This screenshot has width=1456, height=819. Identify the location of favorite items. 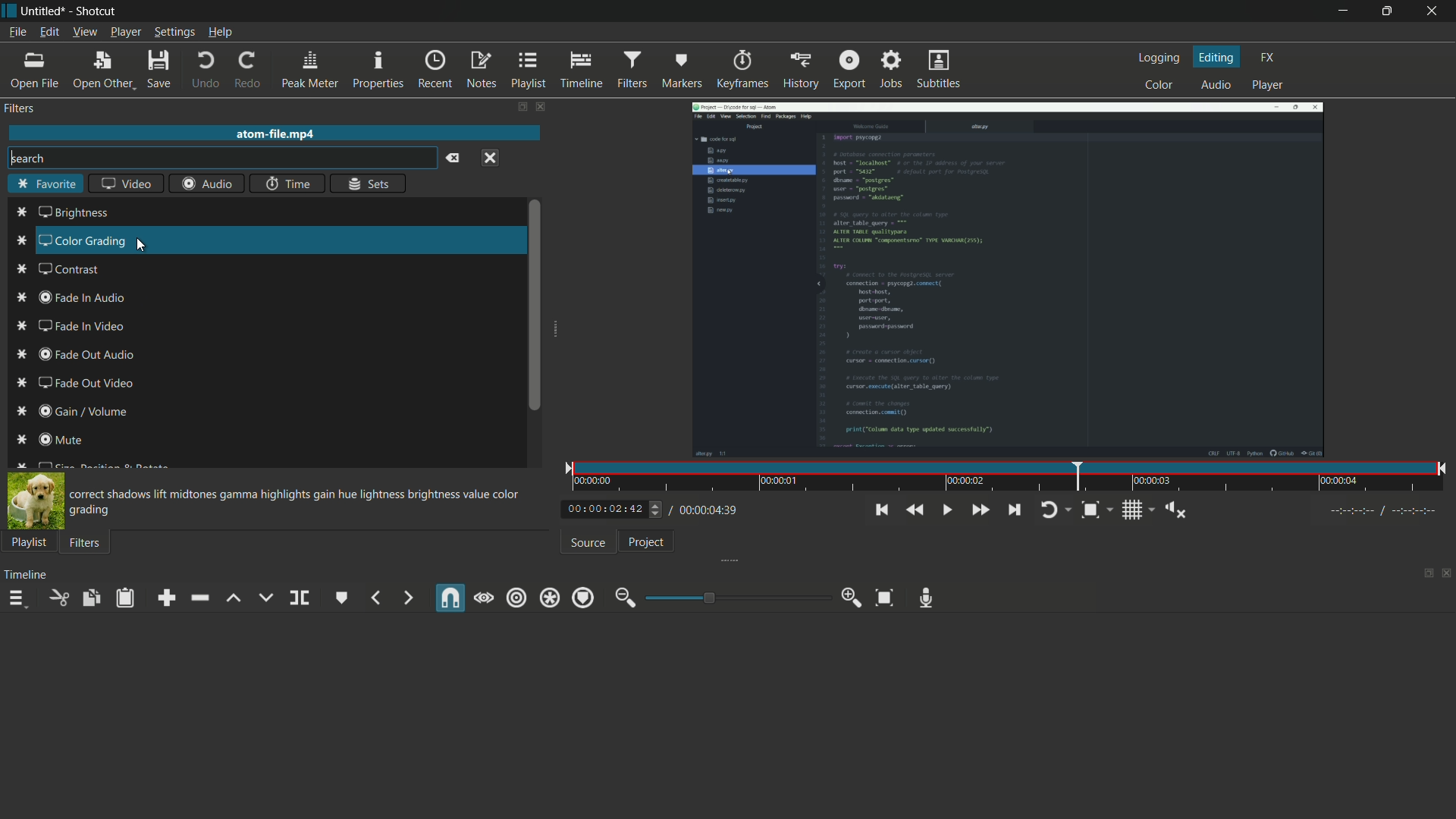
(23, 336).